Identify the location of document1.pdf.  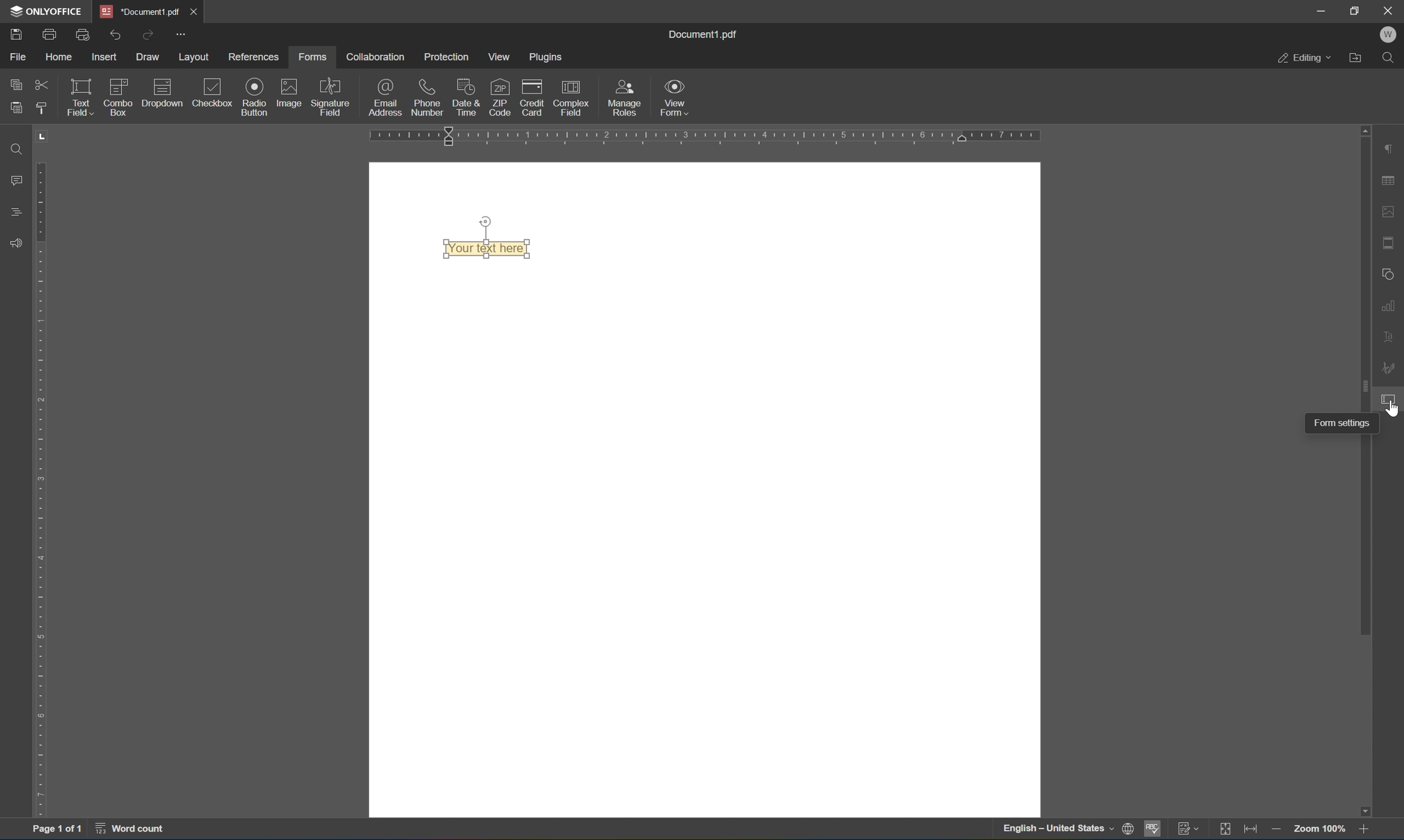
(136, 10).